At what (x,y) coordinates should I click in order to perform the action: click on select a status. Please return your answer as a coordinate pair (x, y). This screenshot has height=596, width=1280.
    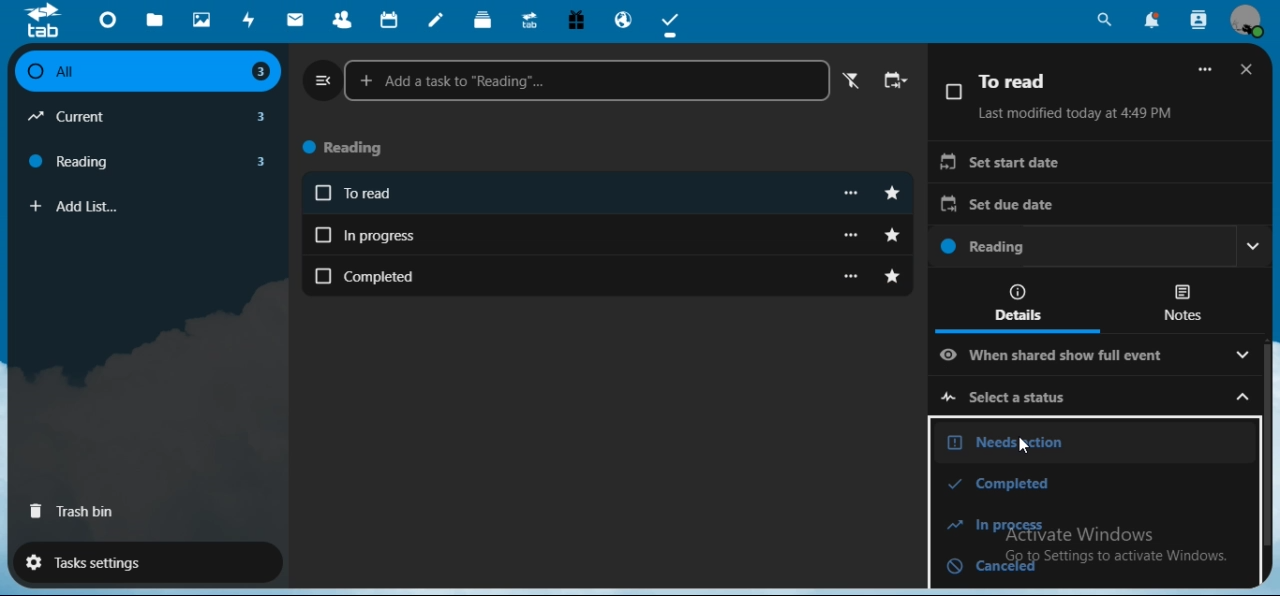
    Looking at the image, I should click on (1074, 397).